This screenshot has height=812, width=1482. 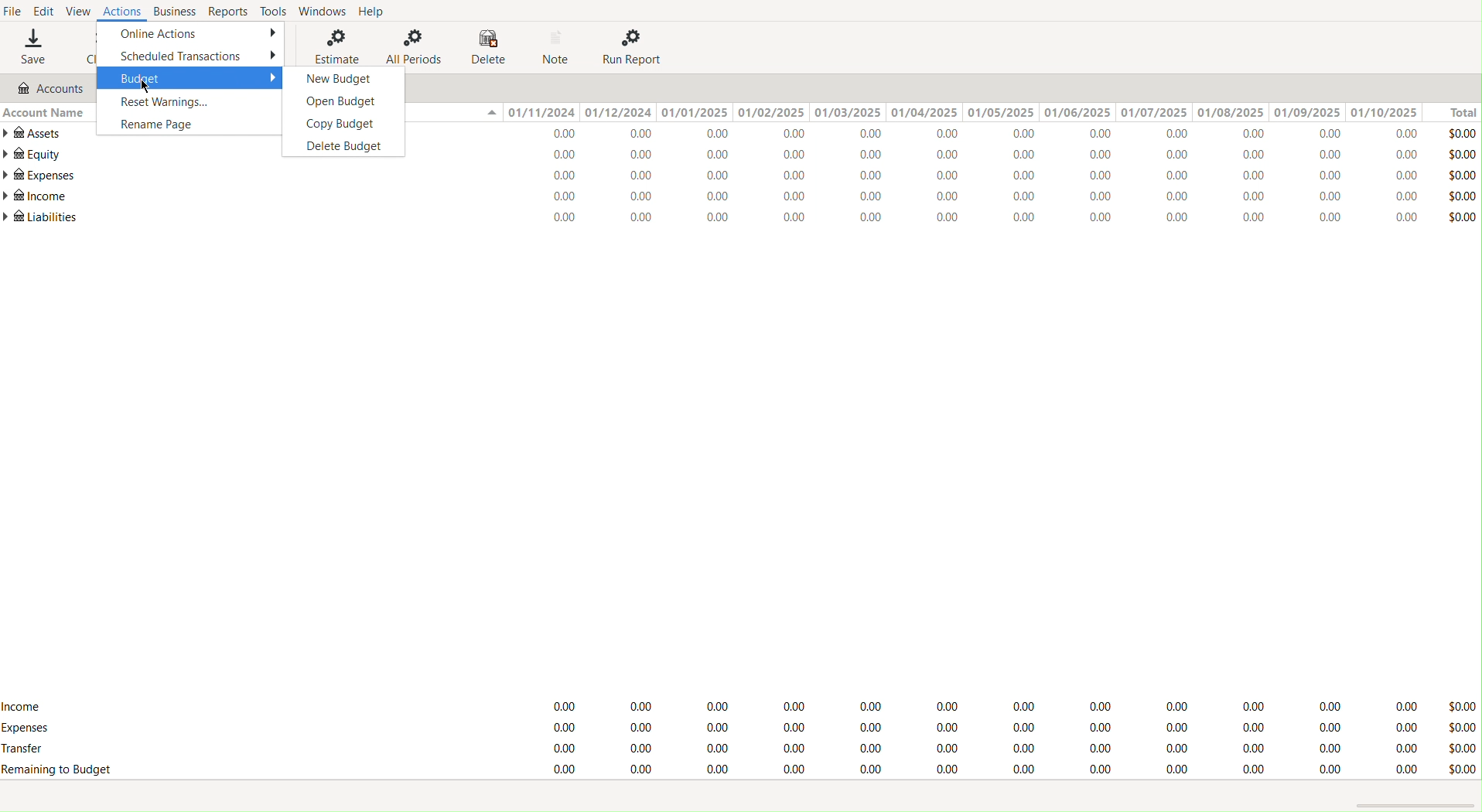 I want to click on Income, so click(x=37, y=197).